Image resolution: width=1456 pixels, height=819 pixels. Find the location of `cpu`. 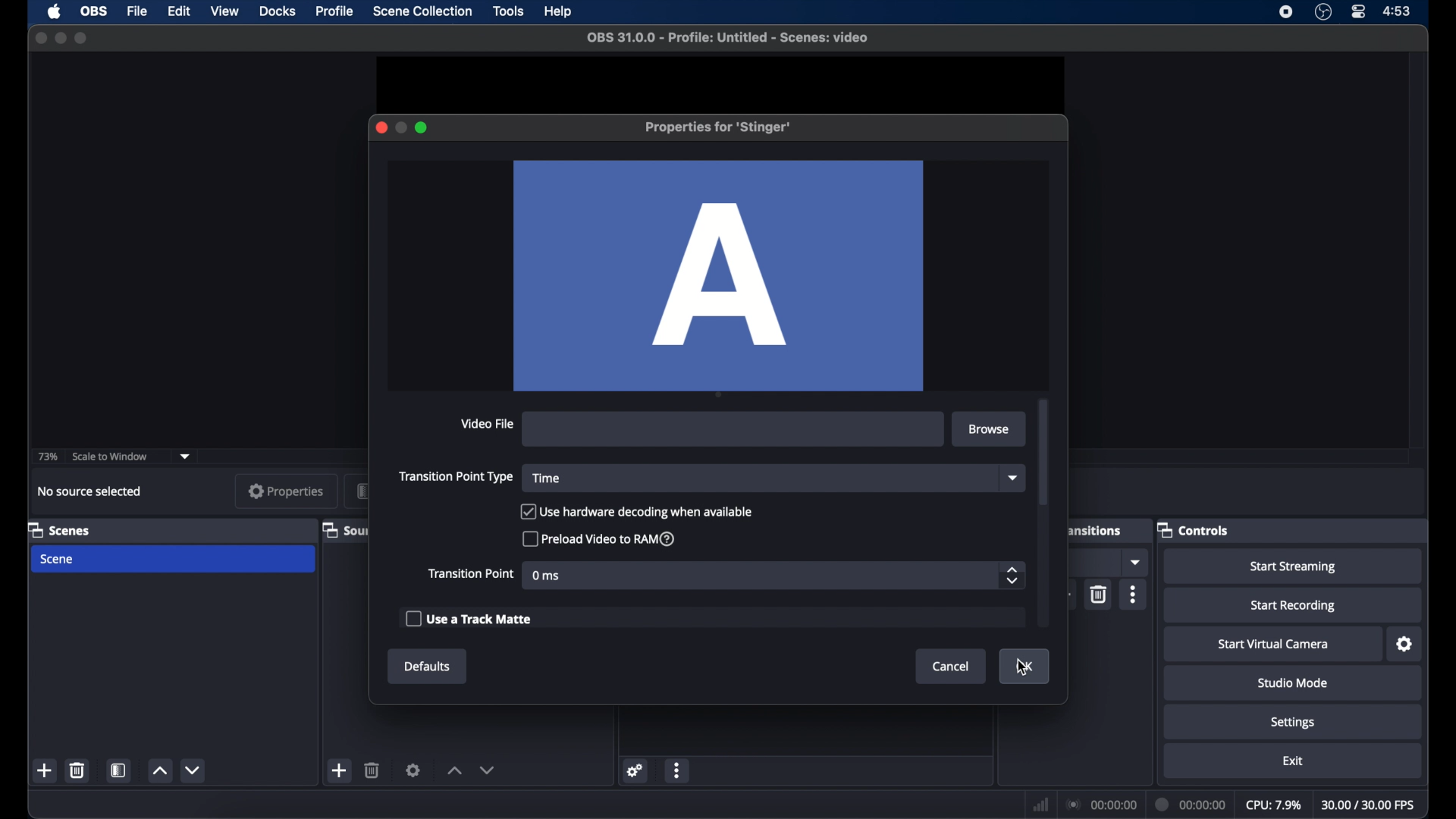

cpu is located at coordinates (1272, 804).